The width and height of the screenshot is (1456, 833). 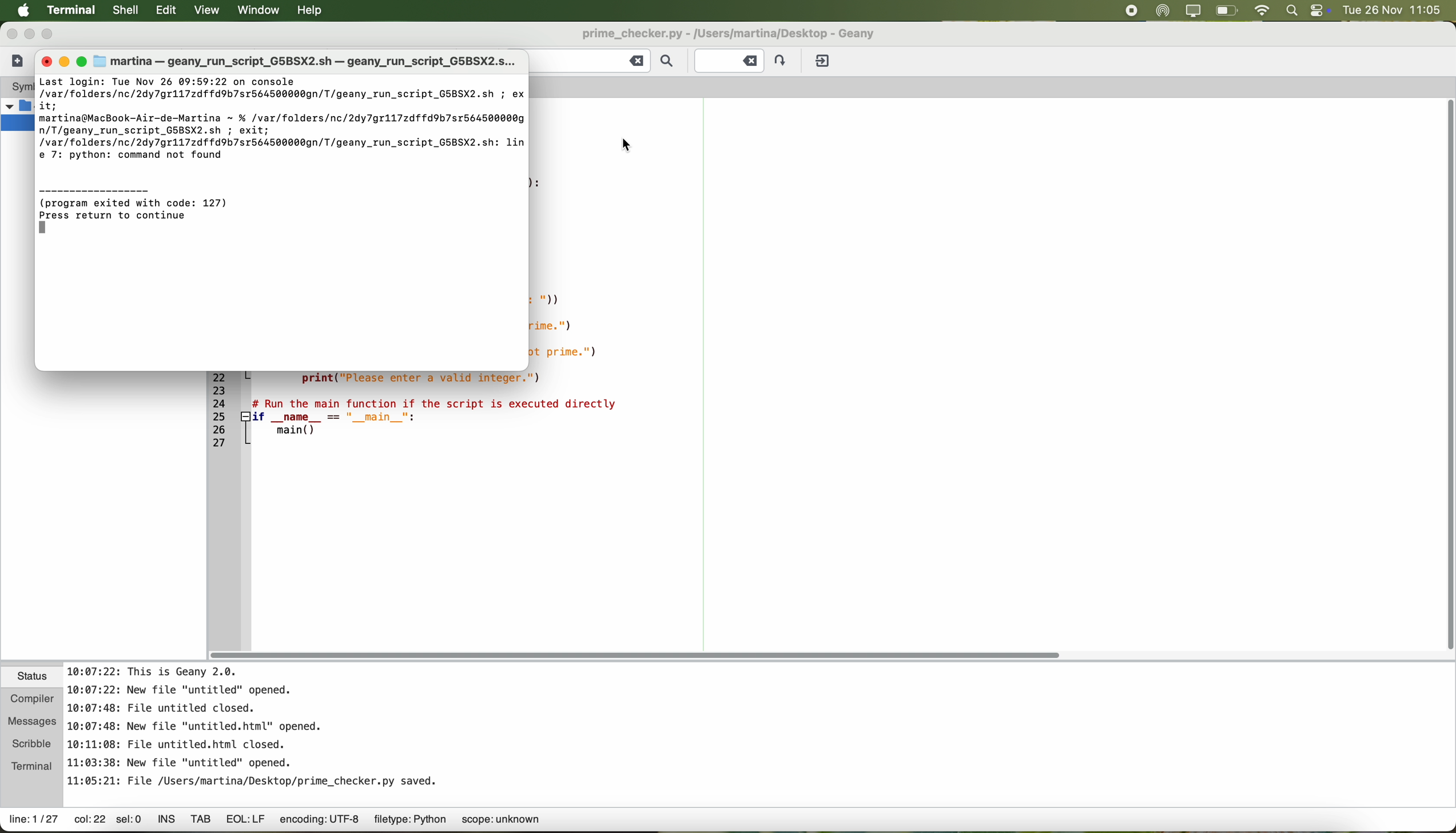 What do you see at coordinates (1292, 11) in the screenshot?
I see `spotlight search` at bounding box center [1292, 11].